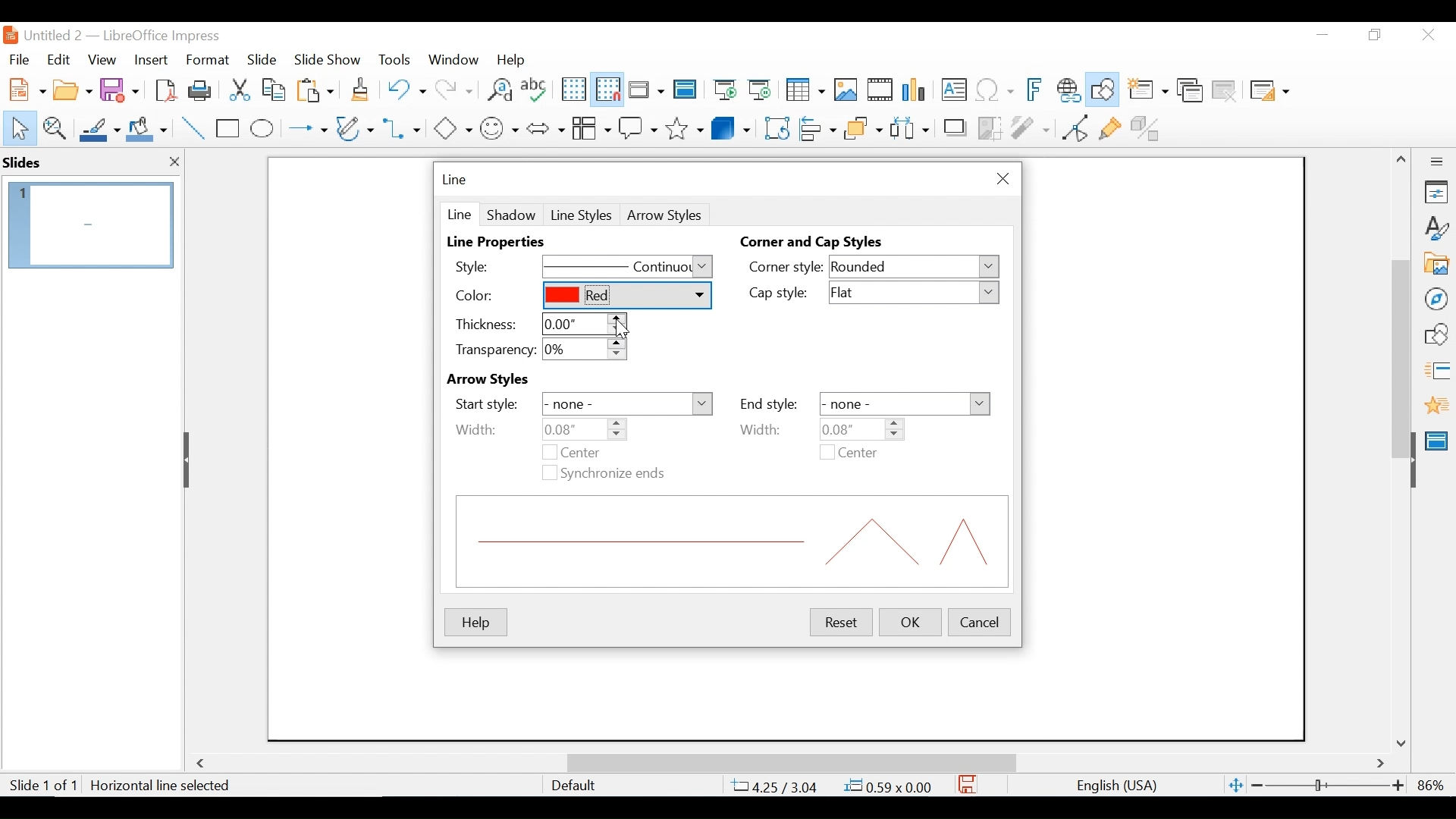 The height and width of the screenshot is (819, 1456). I want to click on Slide Preview, so click(89, 226).